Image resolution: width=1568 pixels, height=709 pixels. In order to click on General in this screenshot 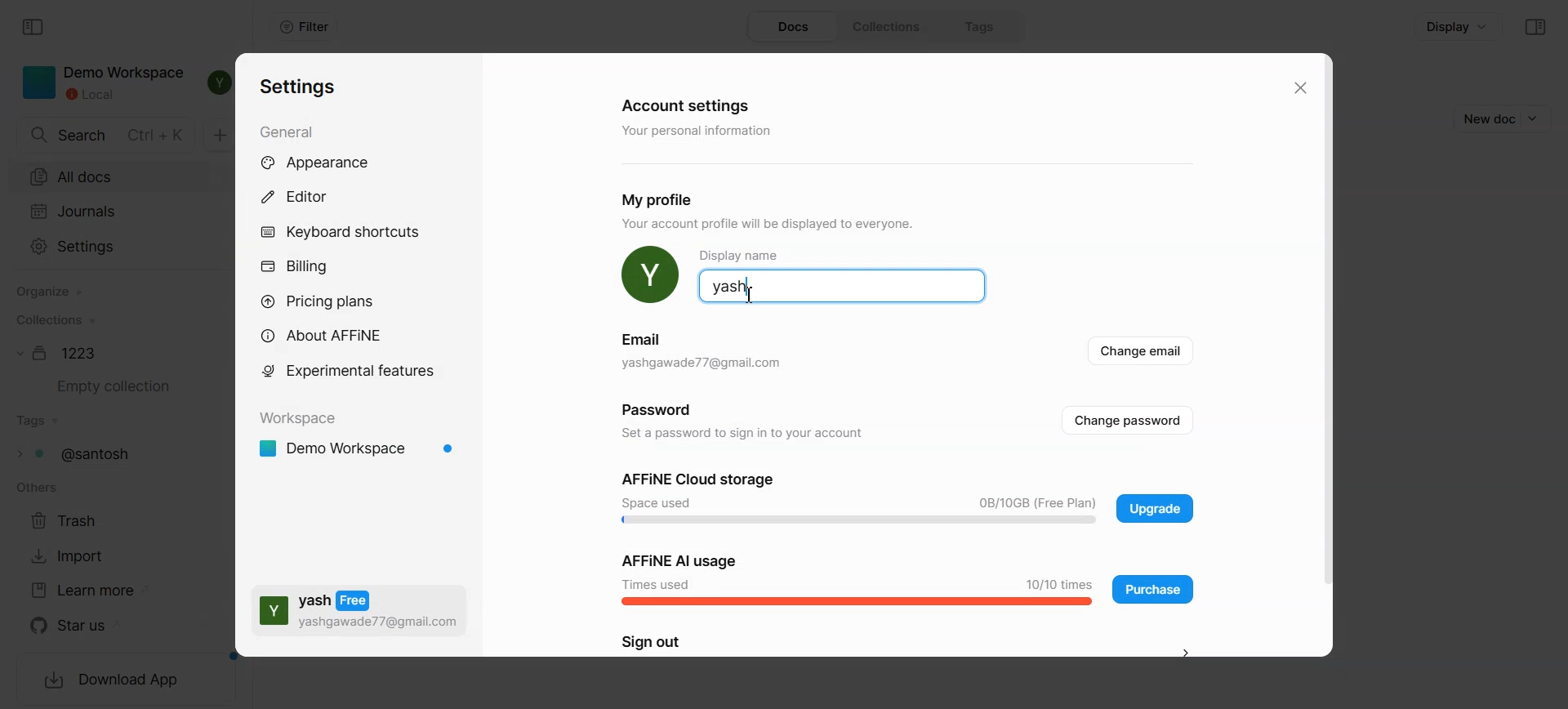, I will do `click(292, 131)`.